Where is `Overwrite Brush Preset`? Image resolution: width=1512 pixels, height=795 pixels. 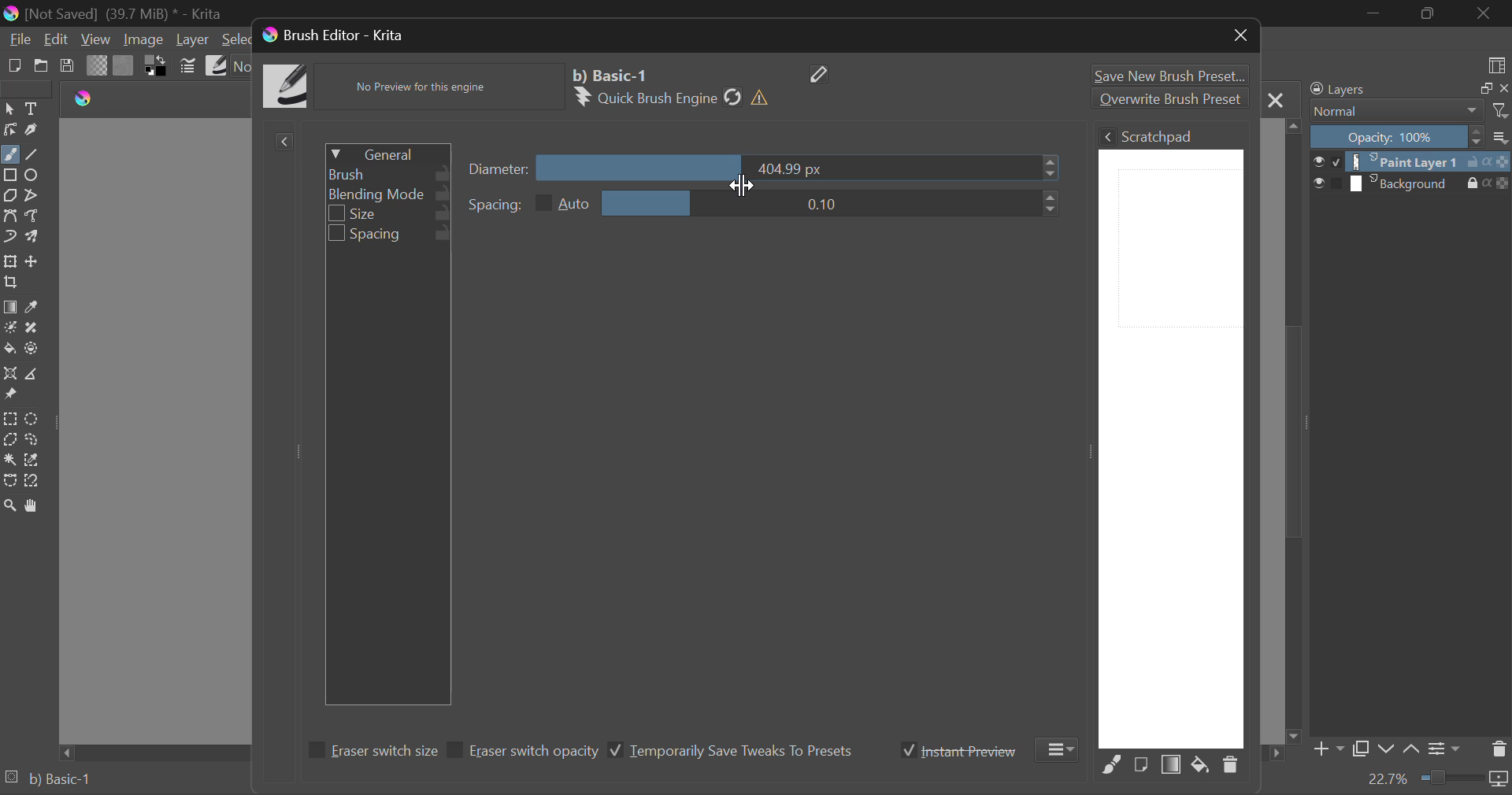
Overwrite Brush Preset is located at coordinates (1169, 98).